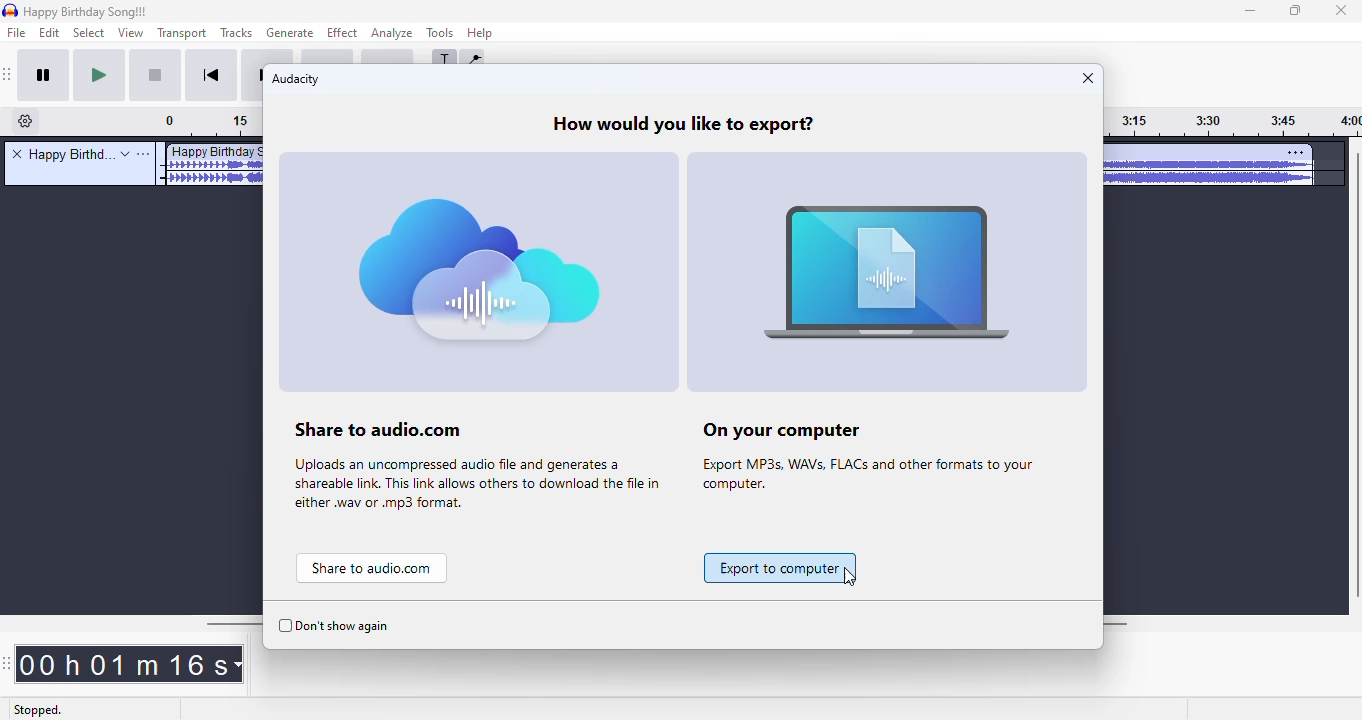 The height and width of the screenshot is (720, 1362). Describe the element at coordinates (290, 33) in the screenshot. I see `generate` at that location.